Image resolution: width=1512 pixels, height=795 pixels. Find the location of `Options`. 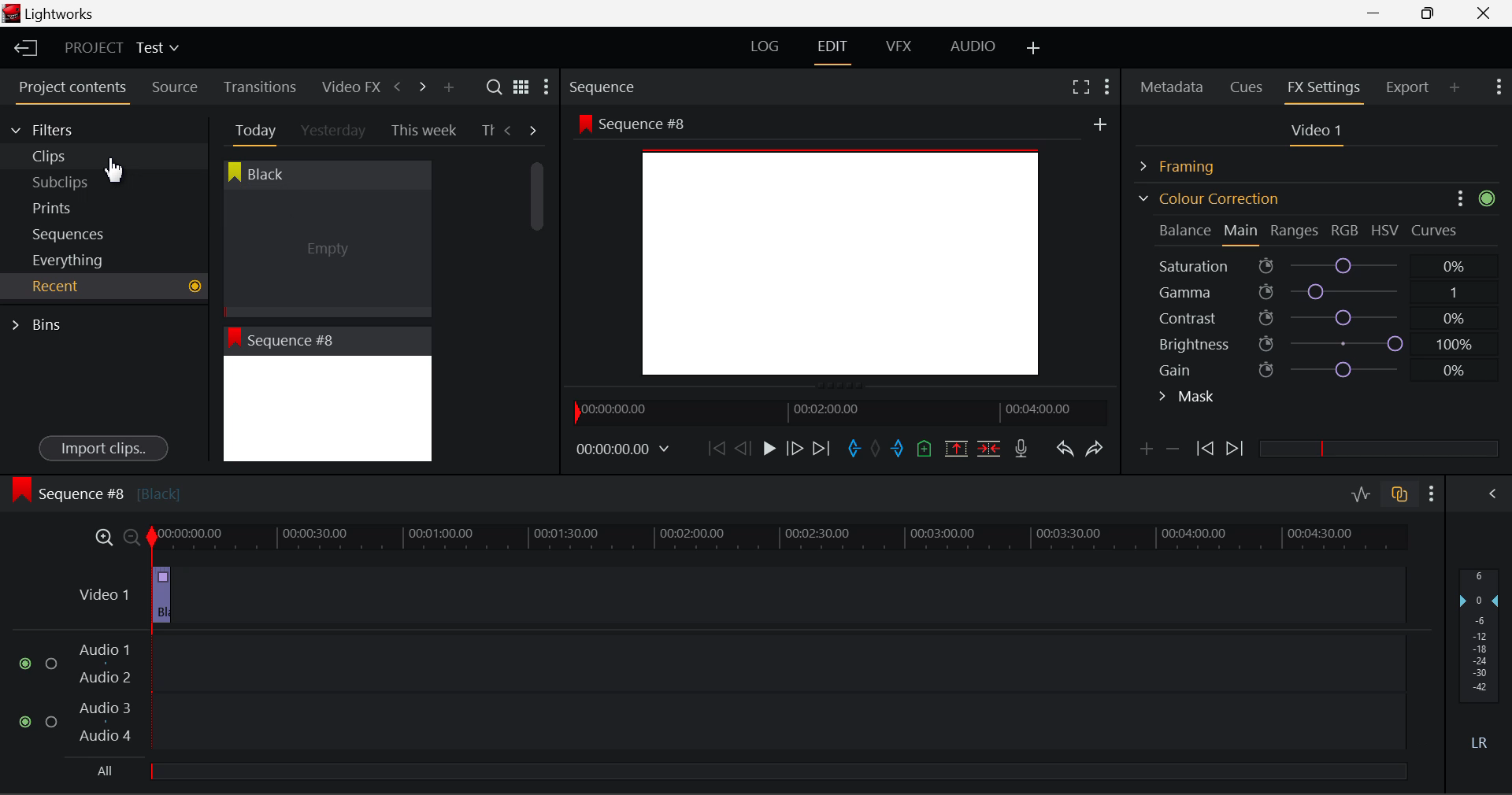

Options is located at coordinates (1460, 197).